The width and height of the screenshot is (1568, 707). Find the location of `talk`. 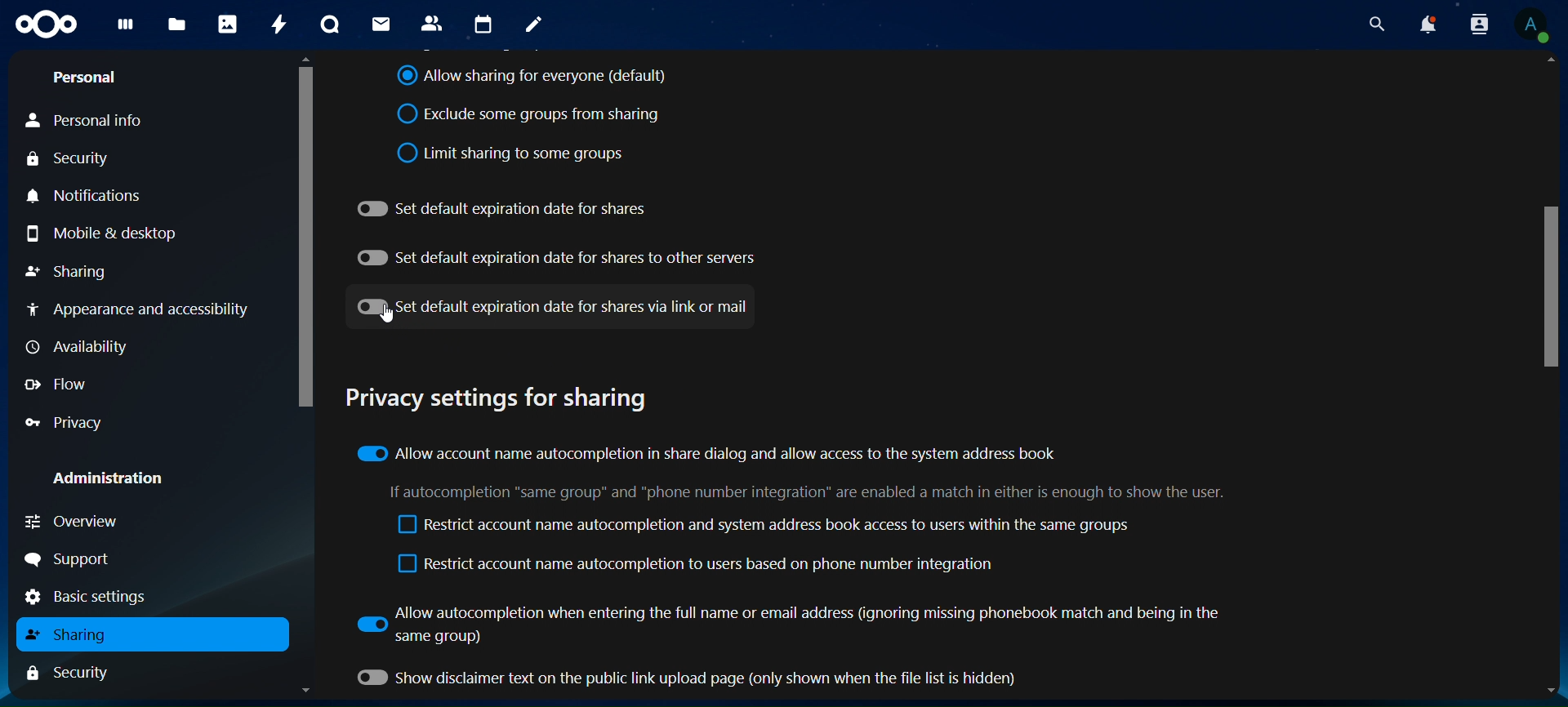

talk is located at coordinates (329, 24).